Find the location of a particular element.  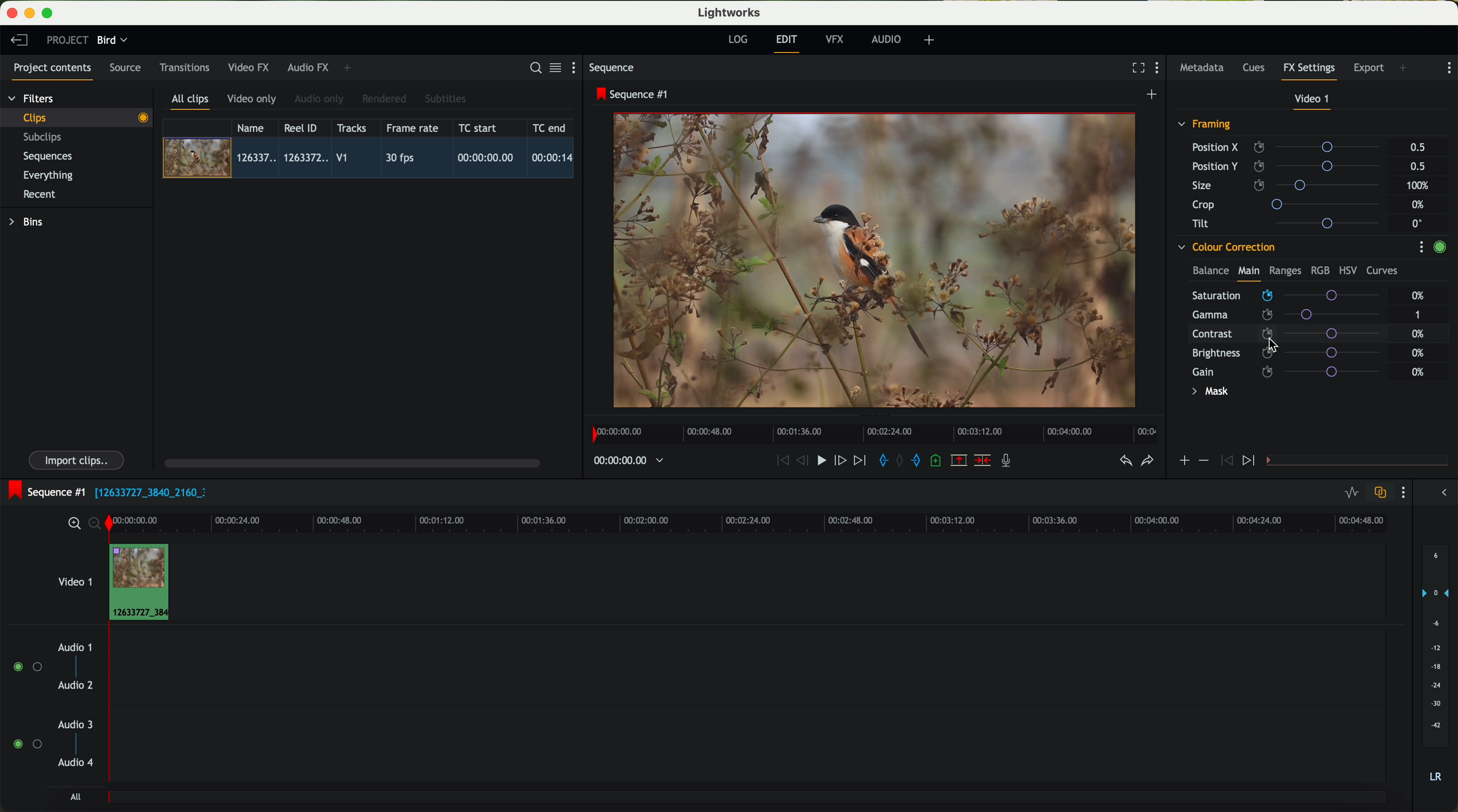

size is located at coordinates (1289, 186).